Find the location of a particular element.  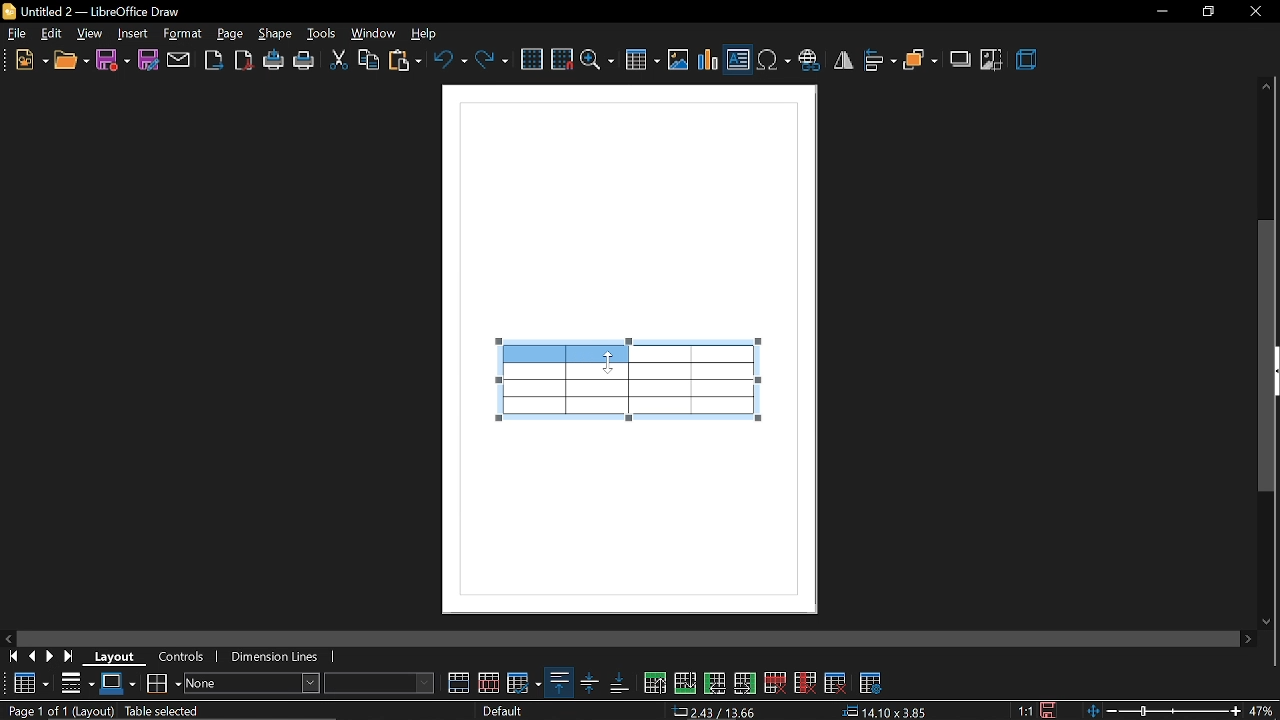

insert column before is located at coordinates (715, 683).